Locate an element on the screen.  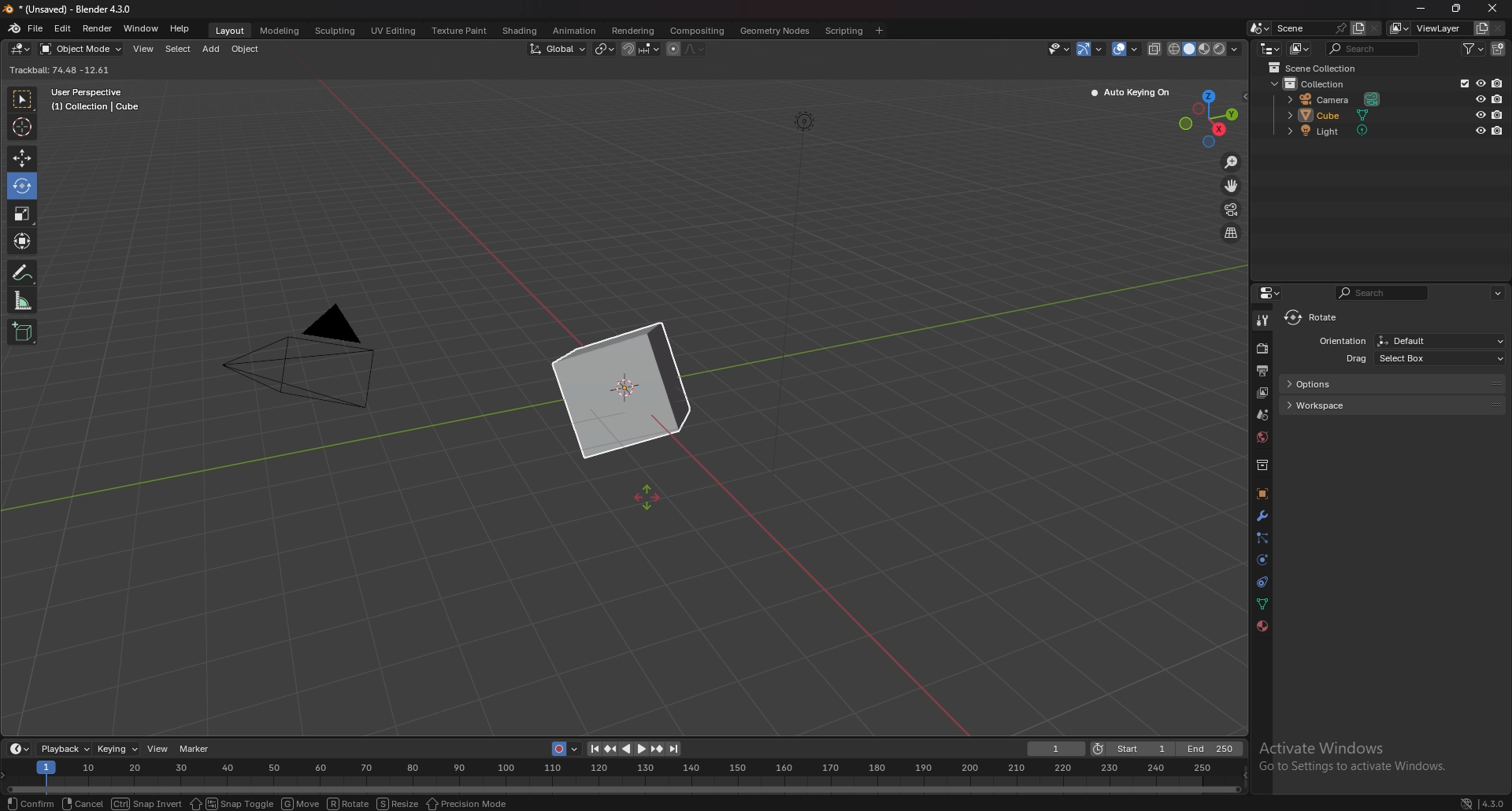
User Perspective (1) Collection | Cube is located at coordinates (96, 100).